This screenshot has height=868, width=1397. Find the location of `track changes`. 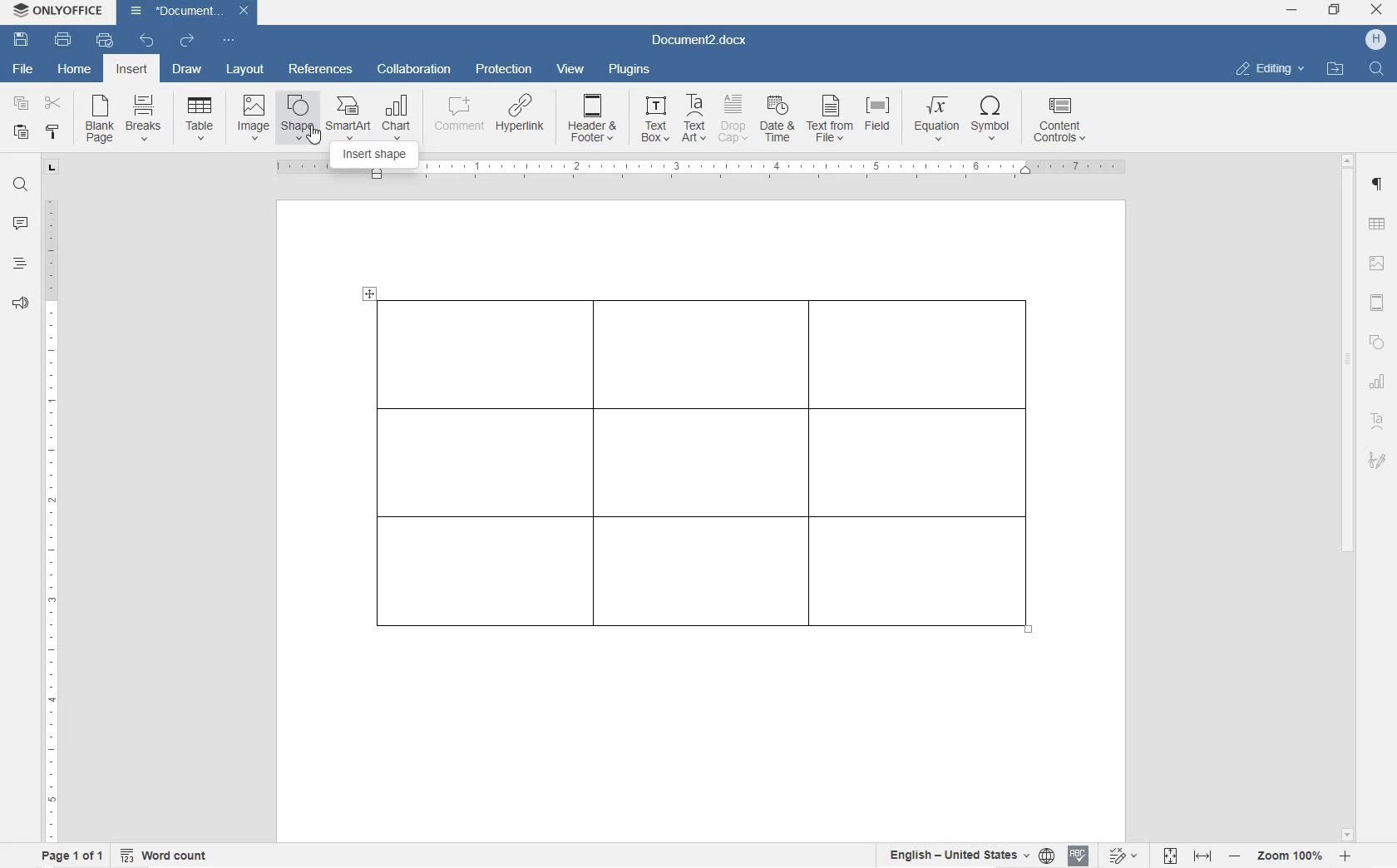

track changes is located at coordinates (1127, 856).